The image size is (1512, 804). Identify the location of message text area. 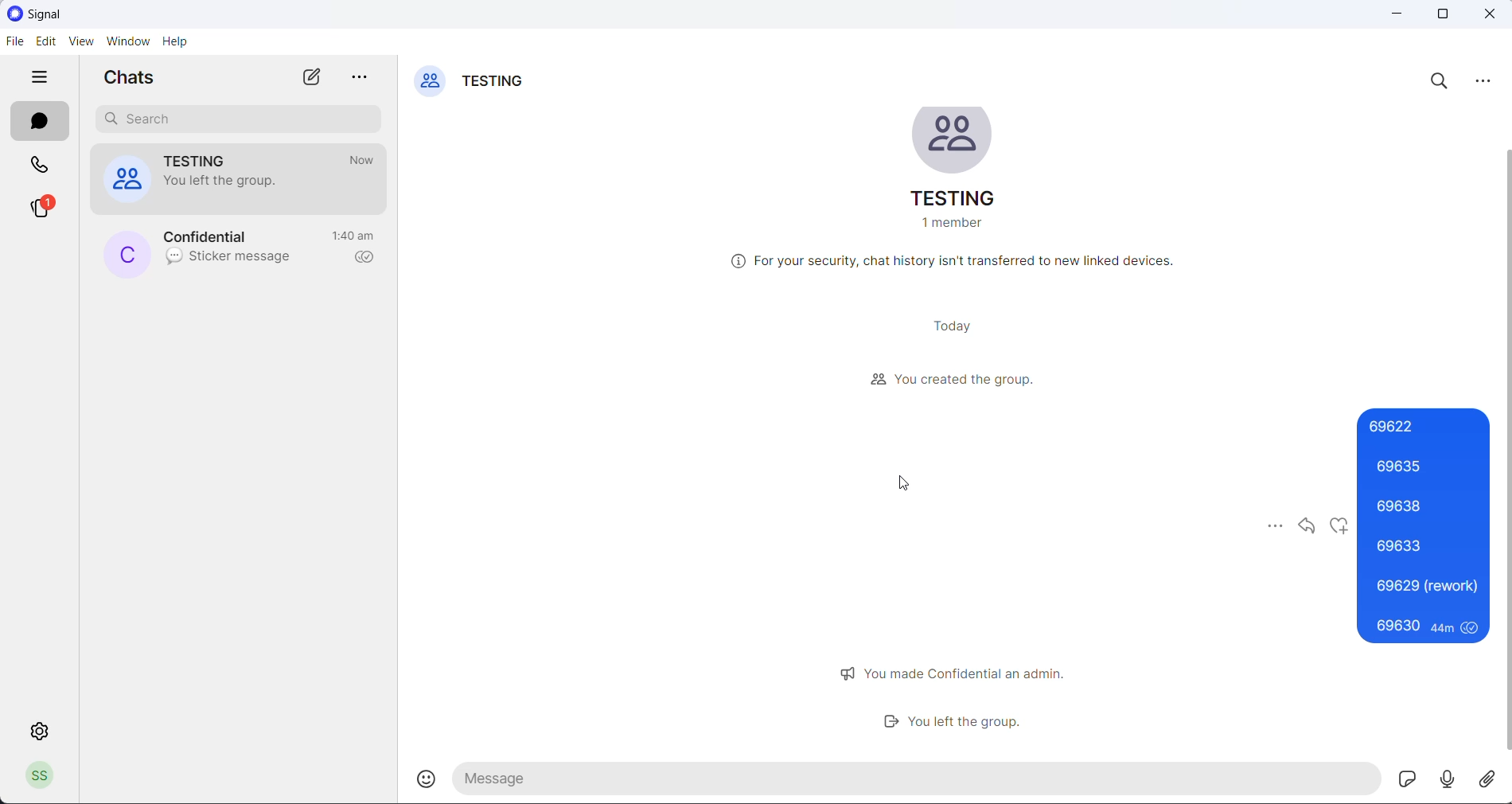
(919, 780).